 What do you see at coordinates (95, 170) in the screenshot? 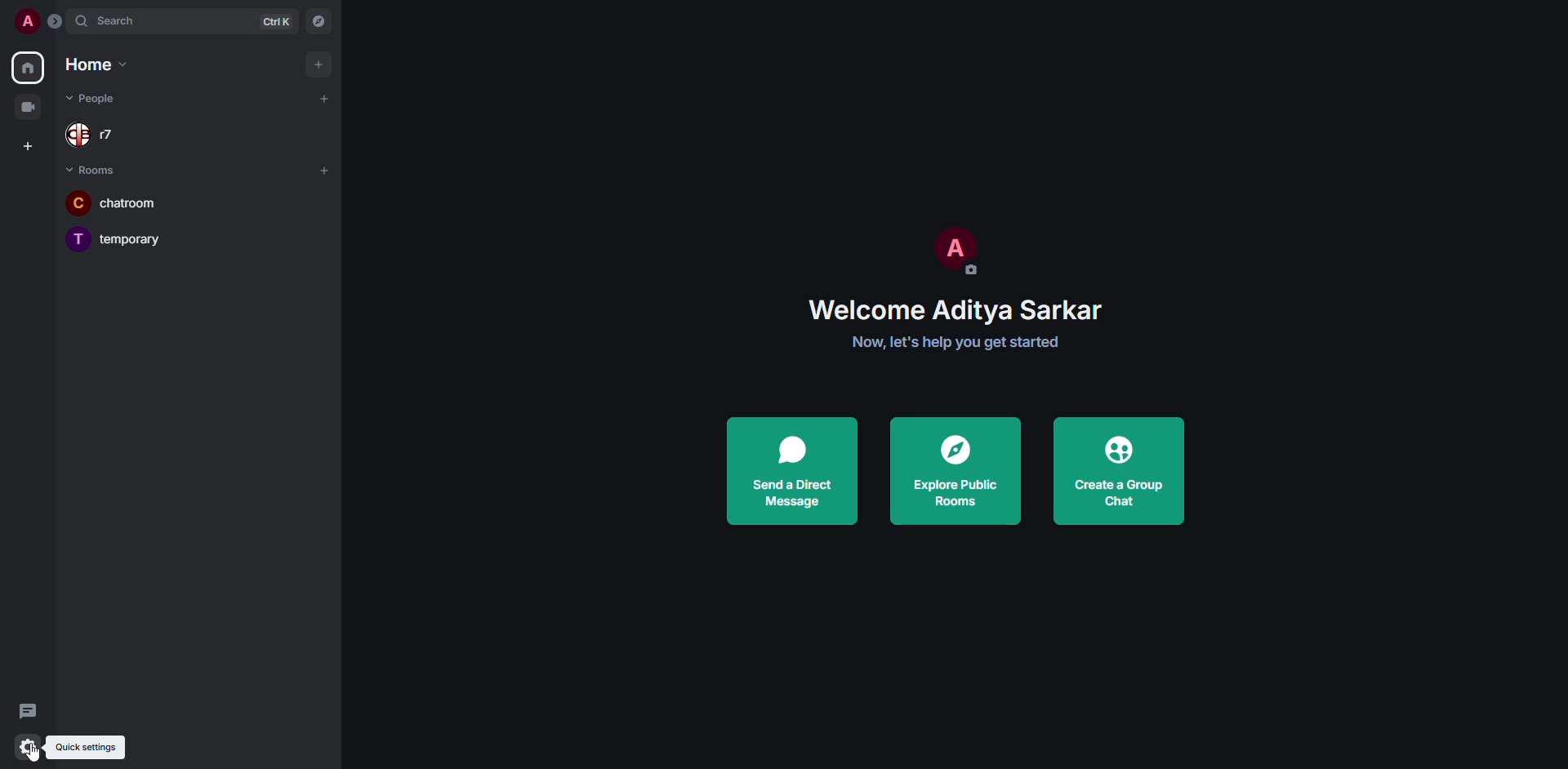
I see `rooms` at bounding box center [95, 170].